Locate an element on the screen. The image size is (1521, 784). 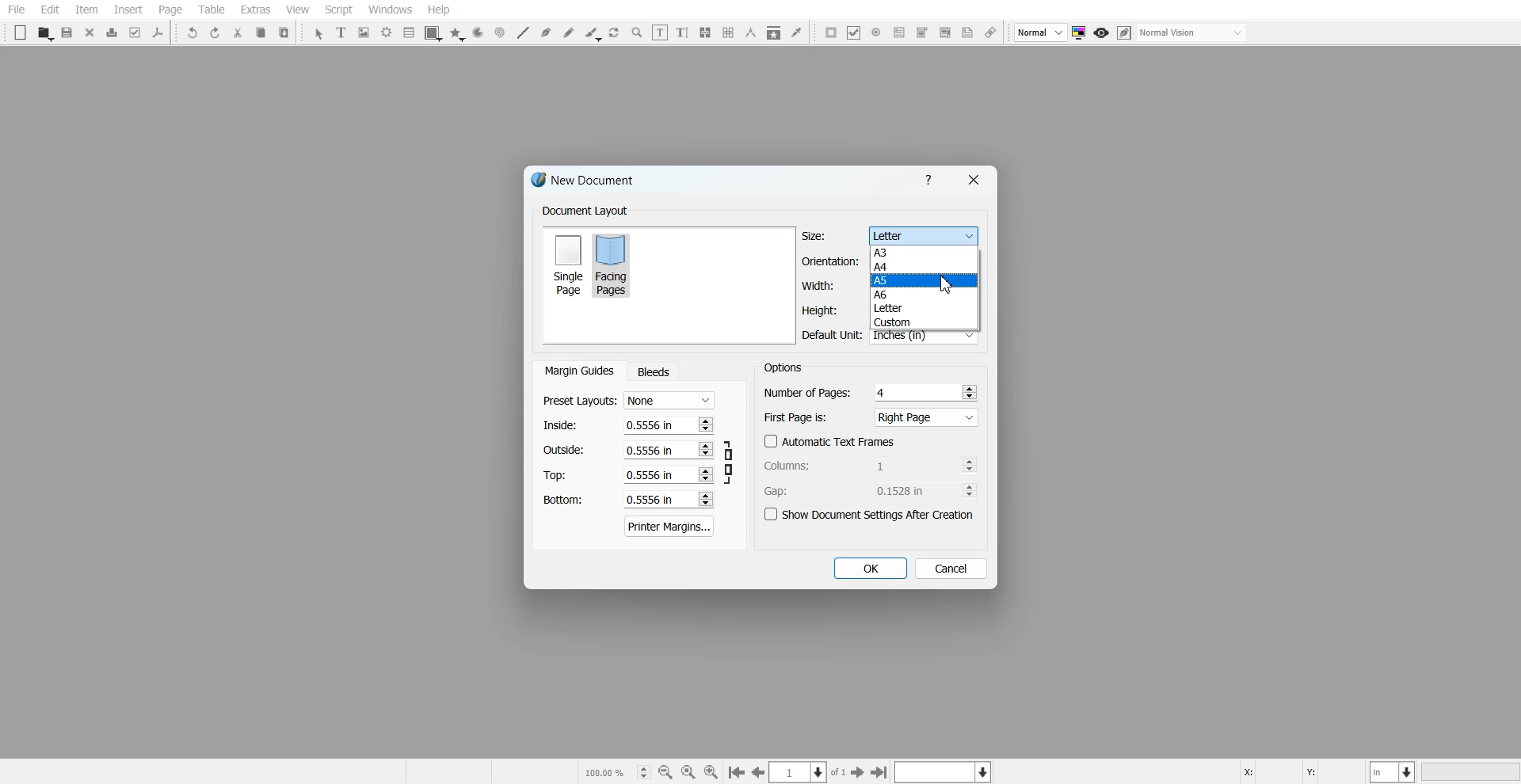
Redo is located at coordinates (215, 32).